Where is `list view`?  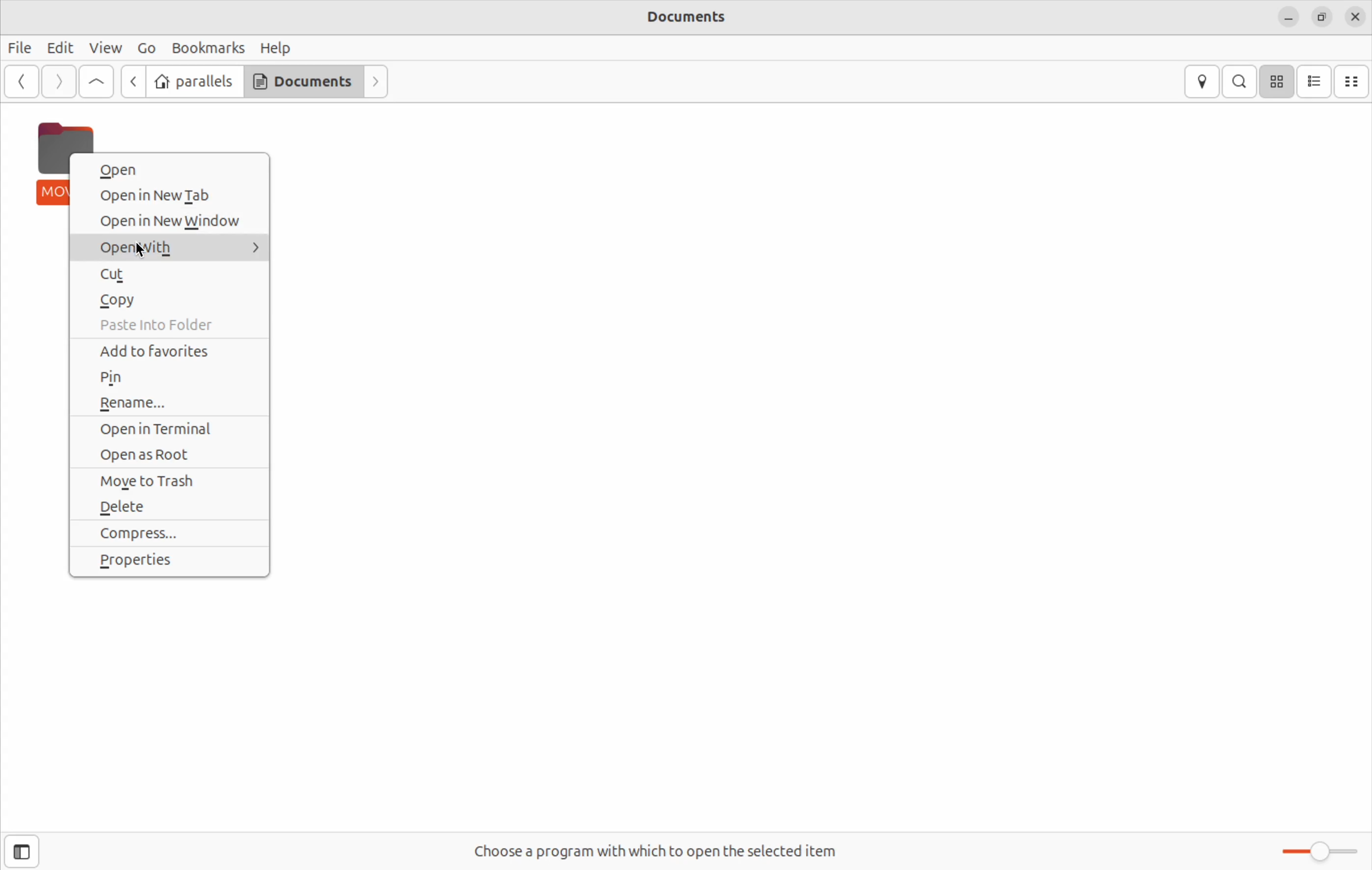 list view is located at coordinates (1316, 82).